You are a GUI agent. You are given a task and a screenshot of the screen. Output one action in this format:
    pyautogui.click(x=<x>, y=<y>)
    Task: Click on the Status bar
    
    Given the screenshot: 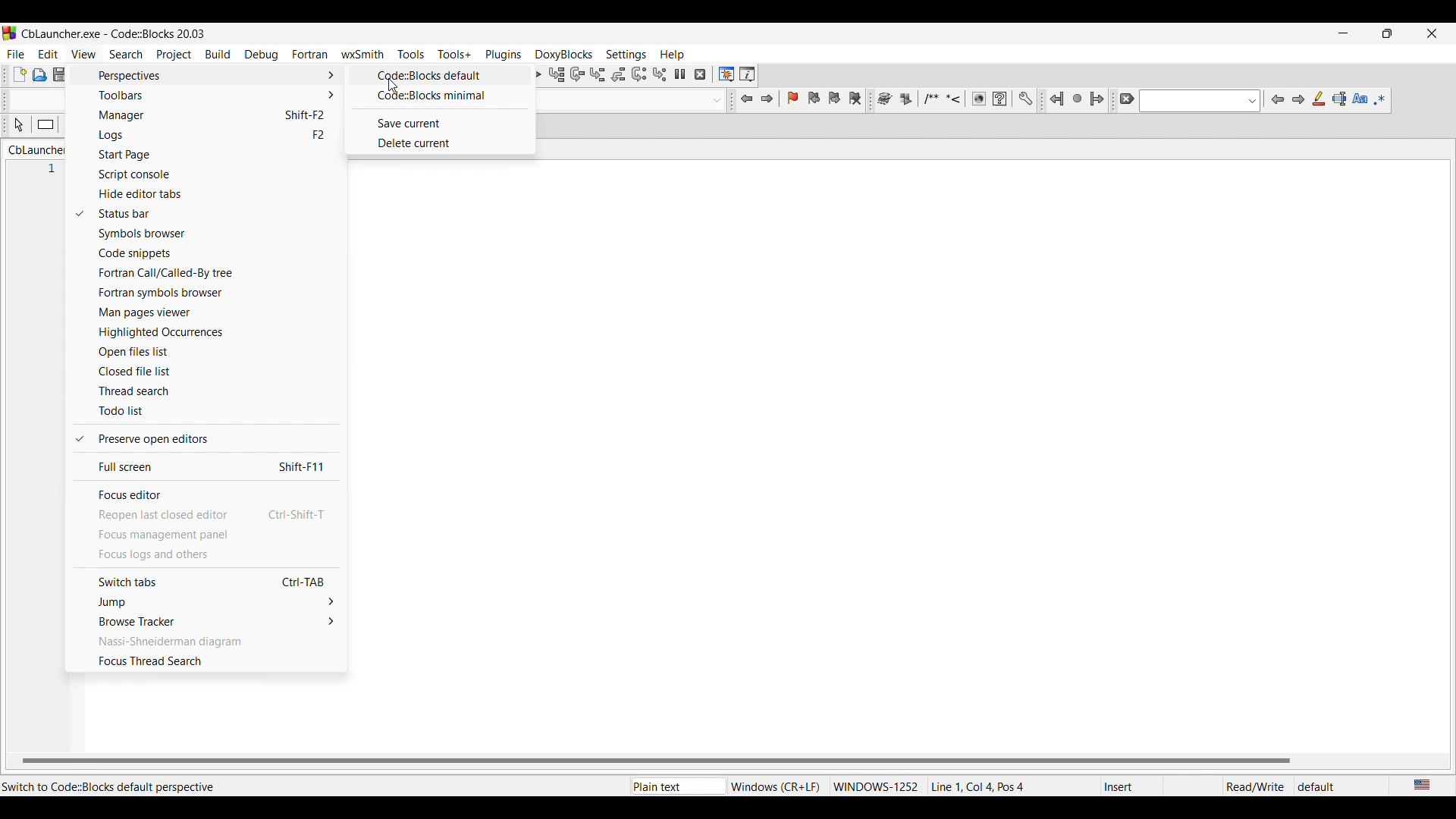 What is the action you would take?
    pyautogui.click(x=218, y=214)
    